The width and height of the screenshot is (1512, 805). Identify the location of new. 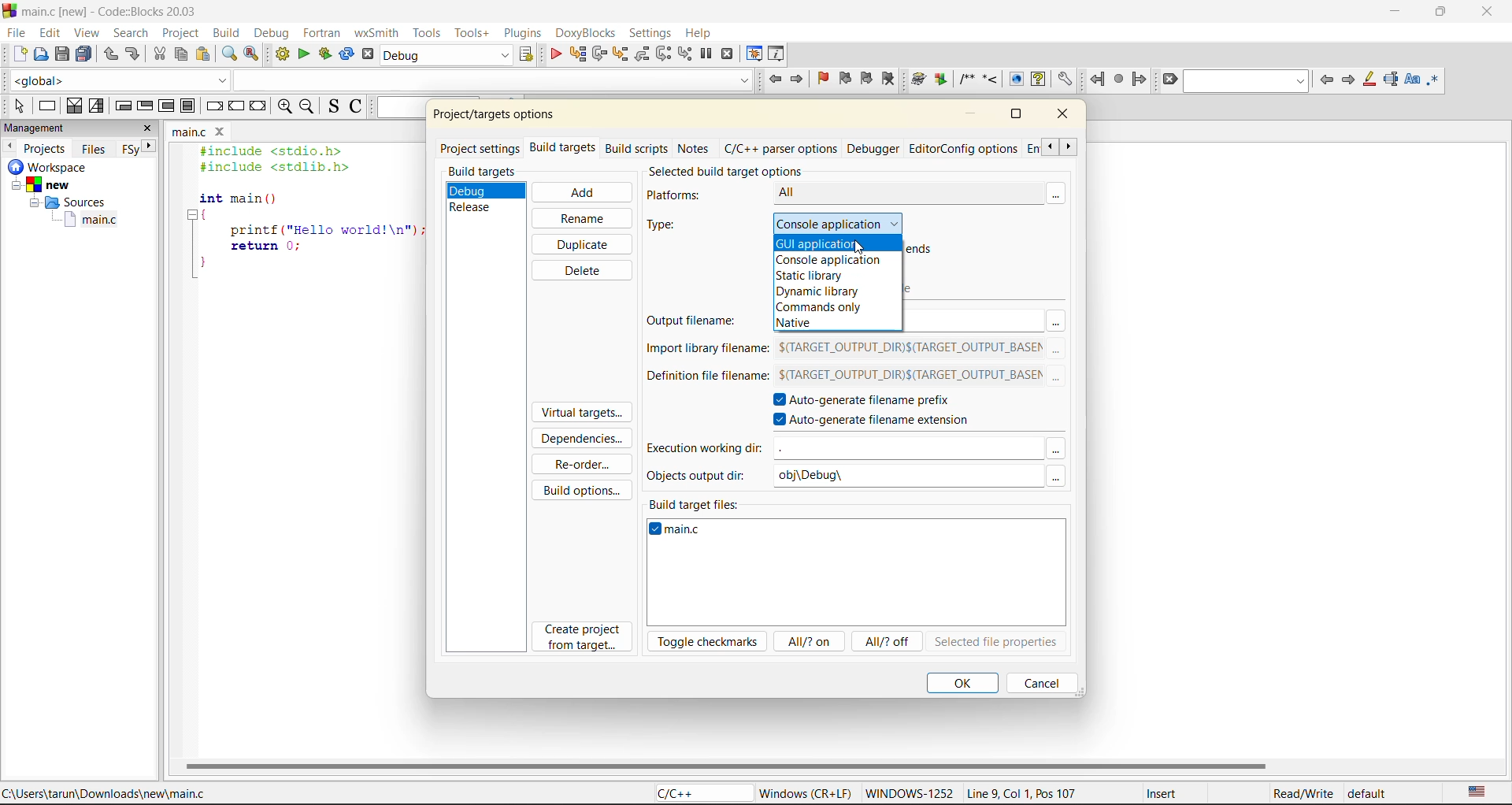
(63, 184).